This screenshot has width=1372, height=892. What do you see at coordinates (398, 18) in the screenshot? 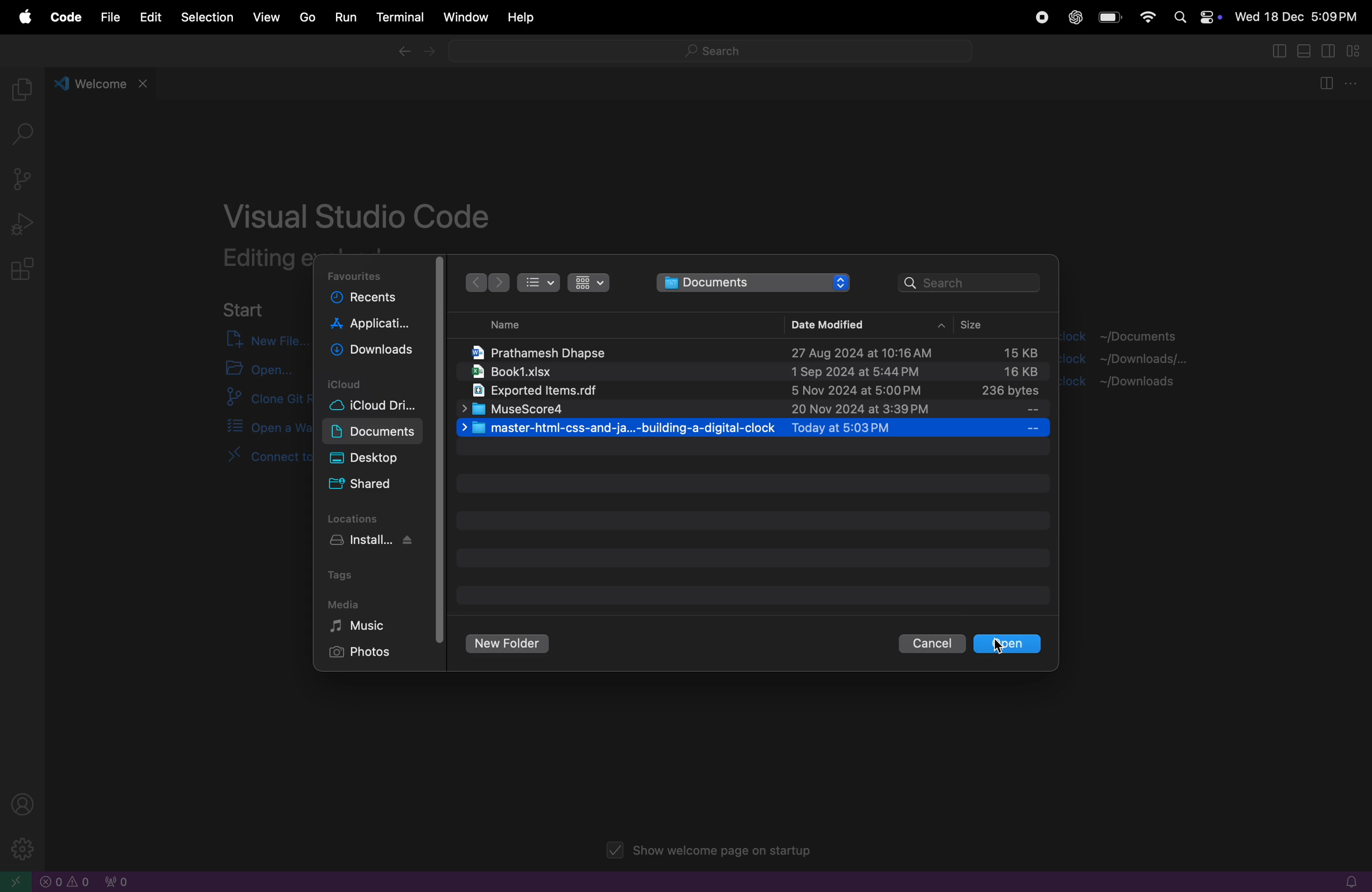
I see `terminal` at bounding box center [398, 18].